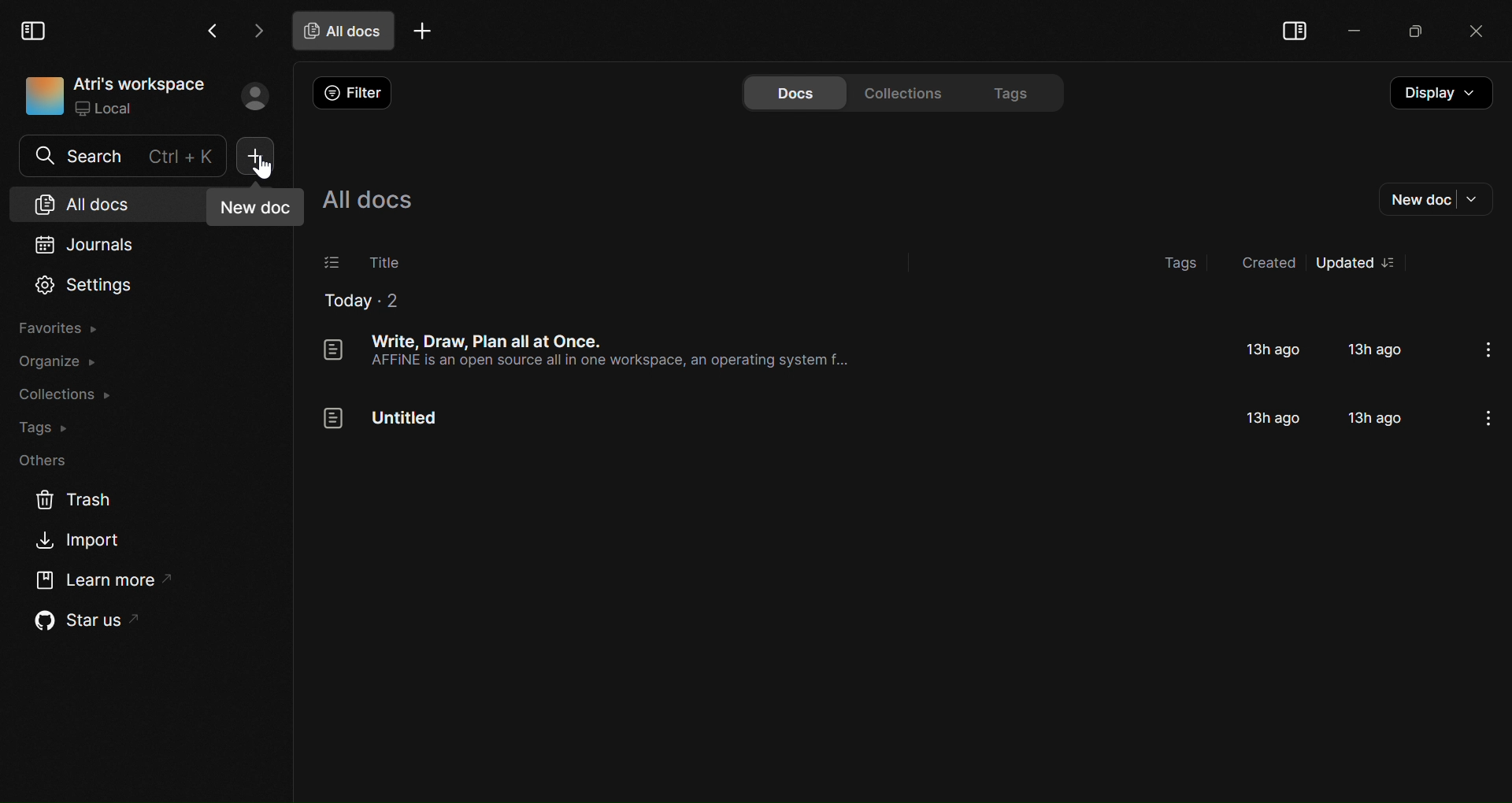 This screenshot has width=1512, height=803. What do you see at coordinates (213, 31) in the screenshot?
I see `Go Back` at bounding box center [213, 31].